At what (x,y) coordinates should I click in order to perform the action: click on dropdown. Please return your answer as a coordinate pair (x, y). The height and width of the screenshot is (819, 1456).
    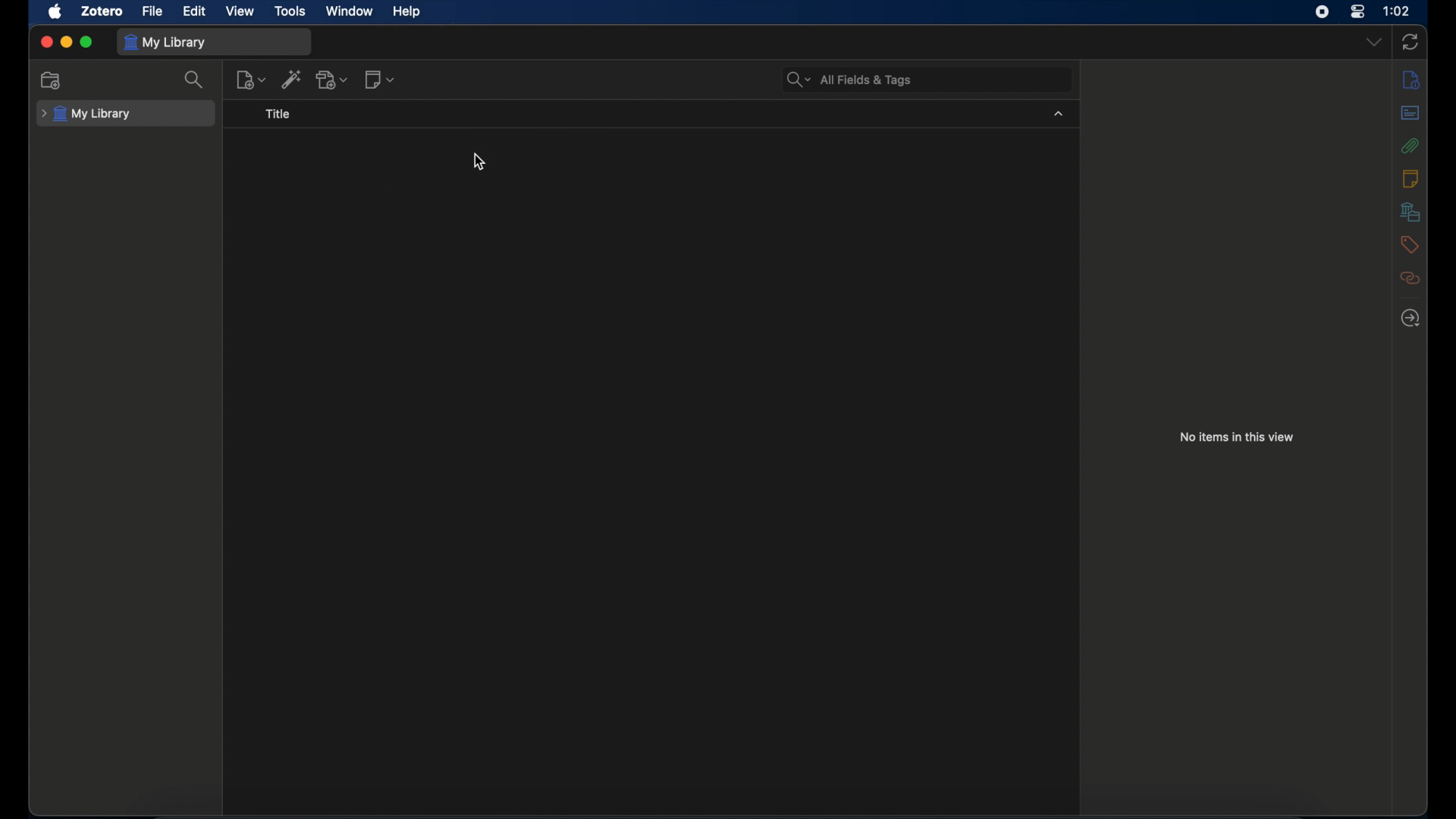
    Looking at the image, I should click on (1059, 114).